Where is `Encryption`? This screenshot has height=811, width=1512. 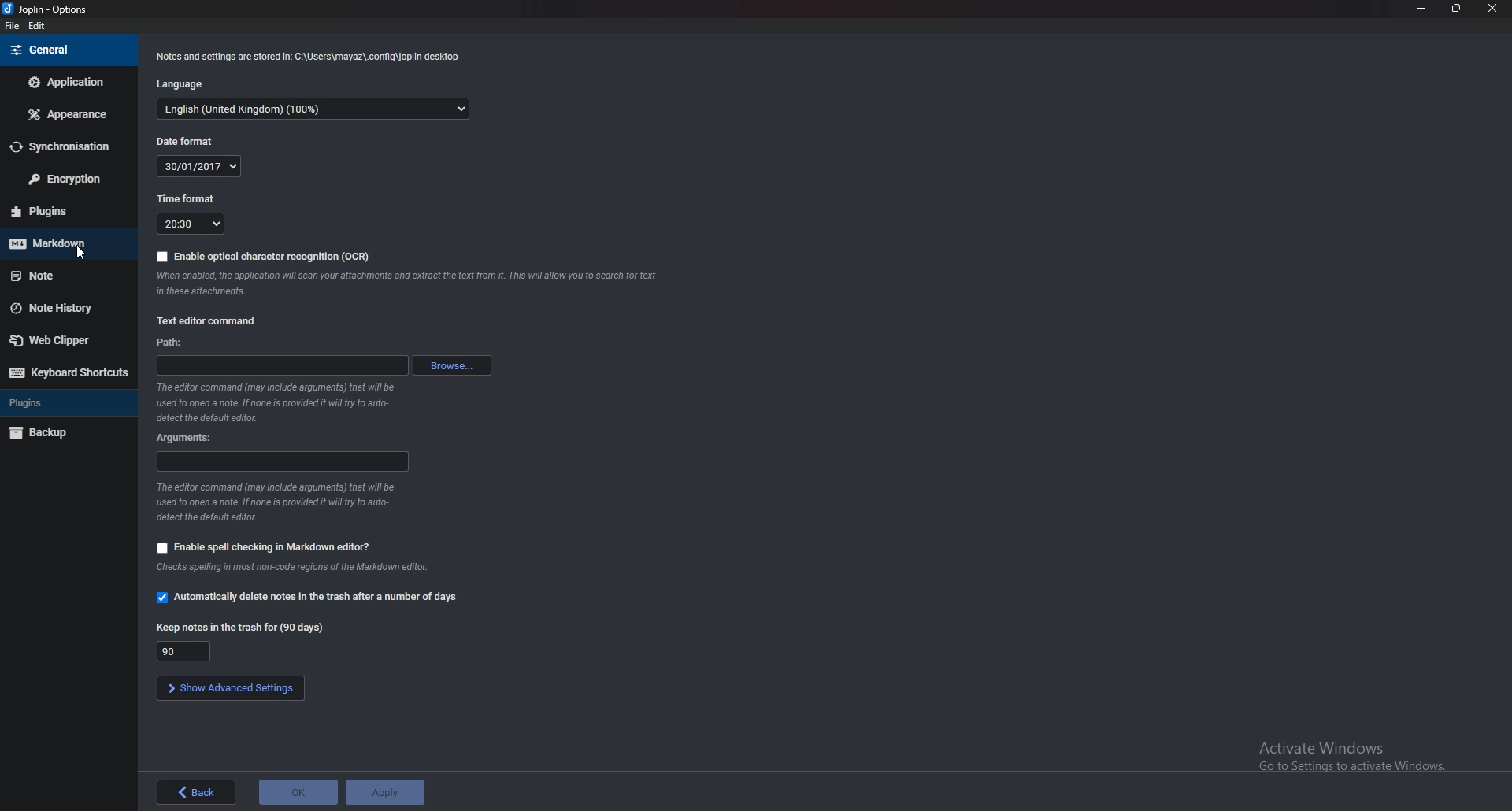
Encryption is located at coordinates (65, 179).